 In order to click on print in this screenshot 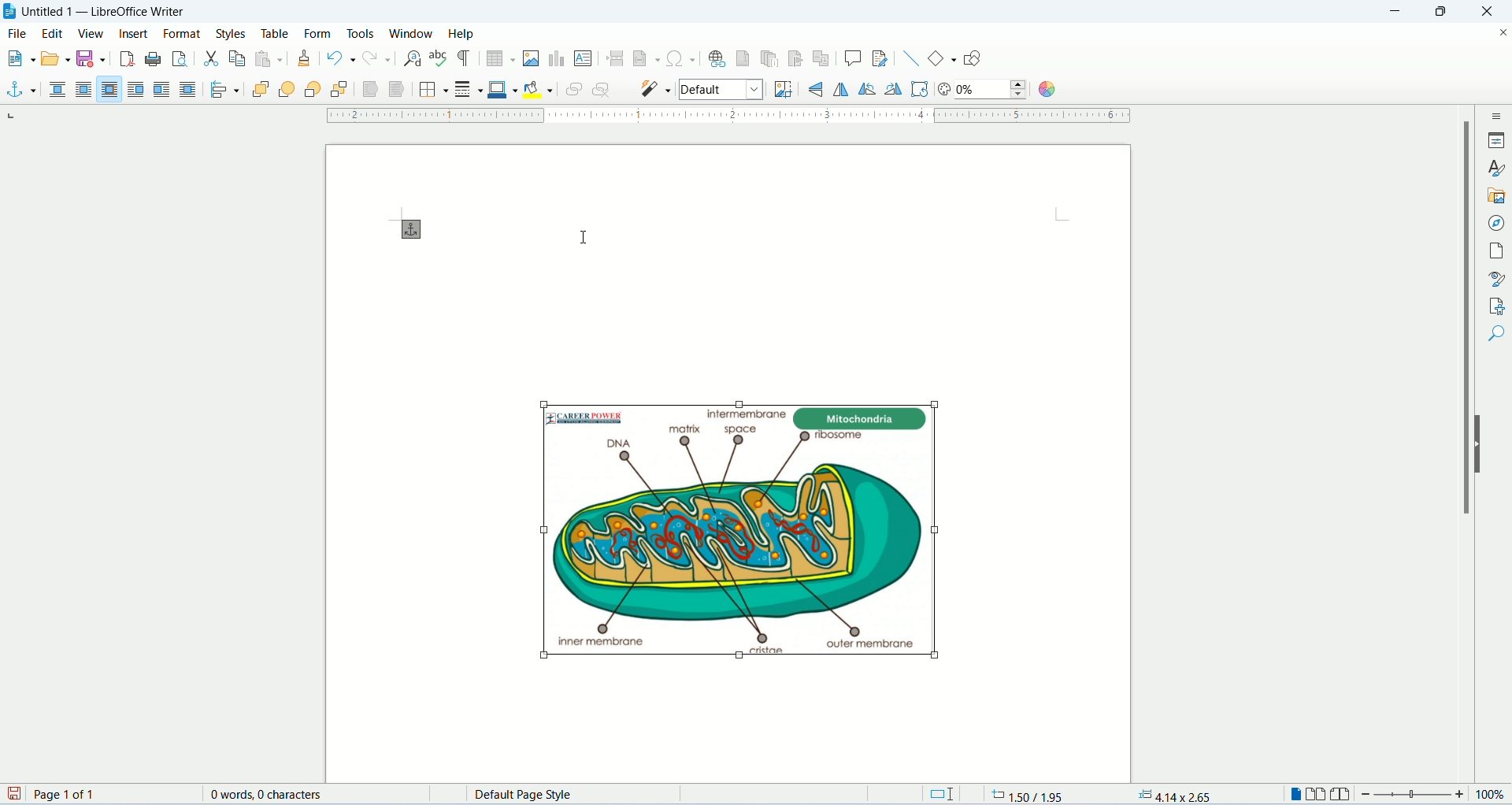, I will do `click(153, 59)`.